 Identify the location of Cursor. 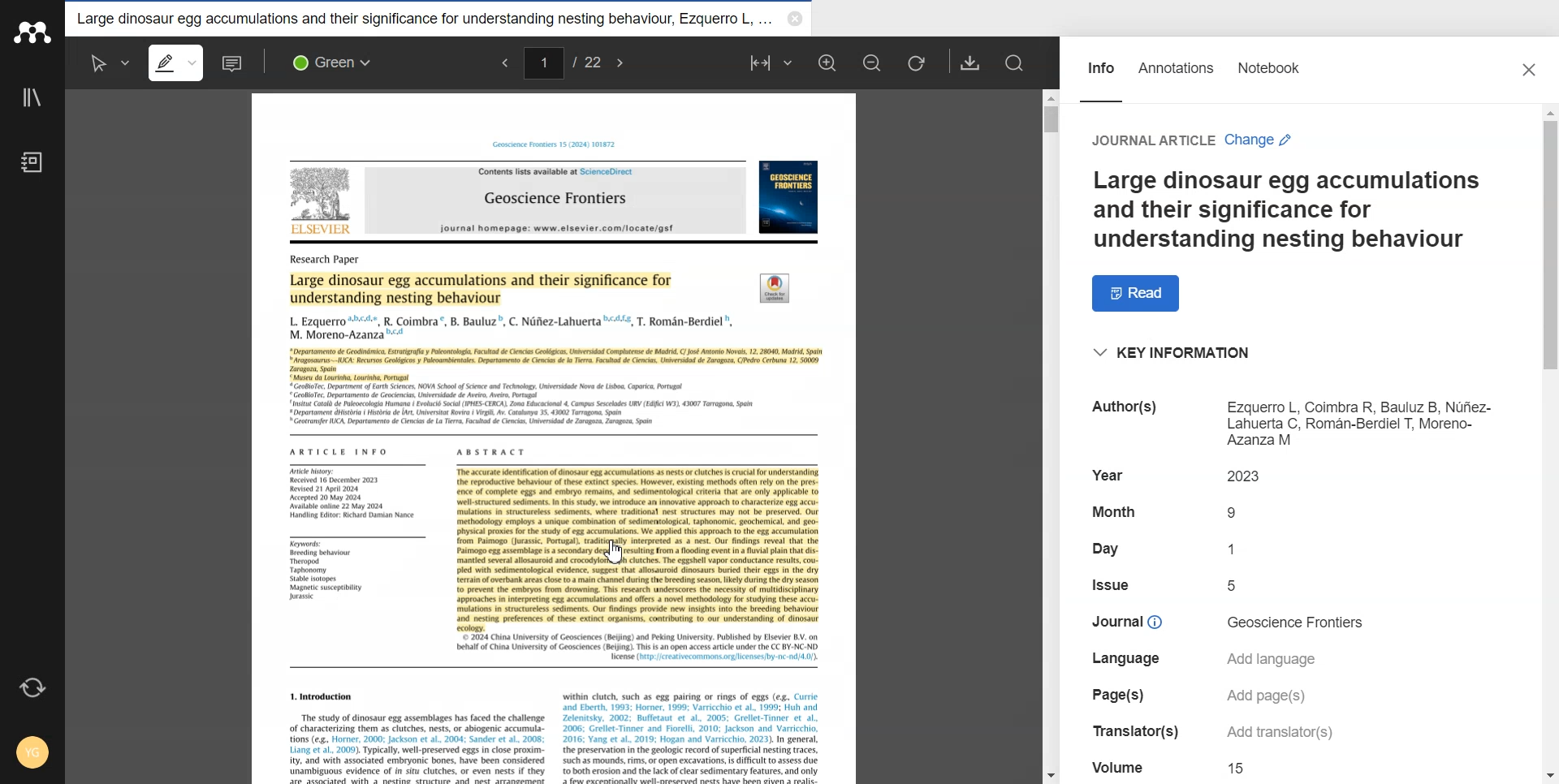
(618, 554).